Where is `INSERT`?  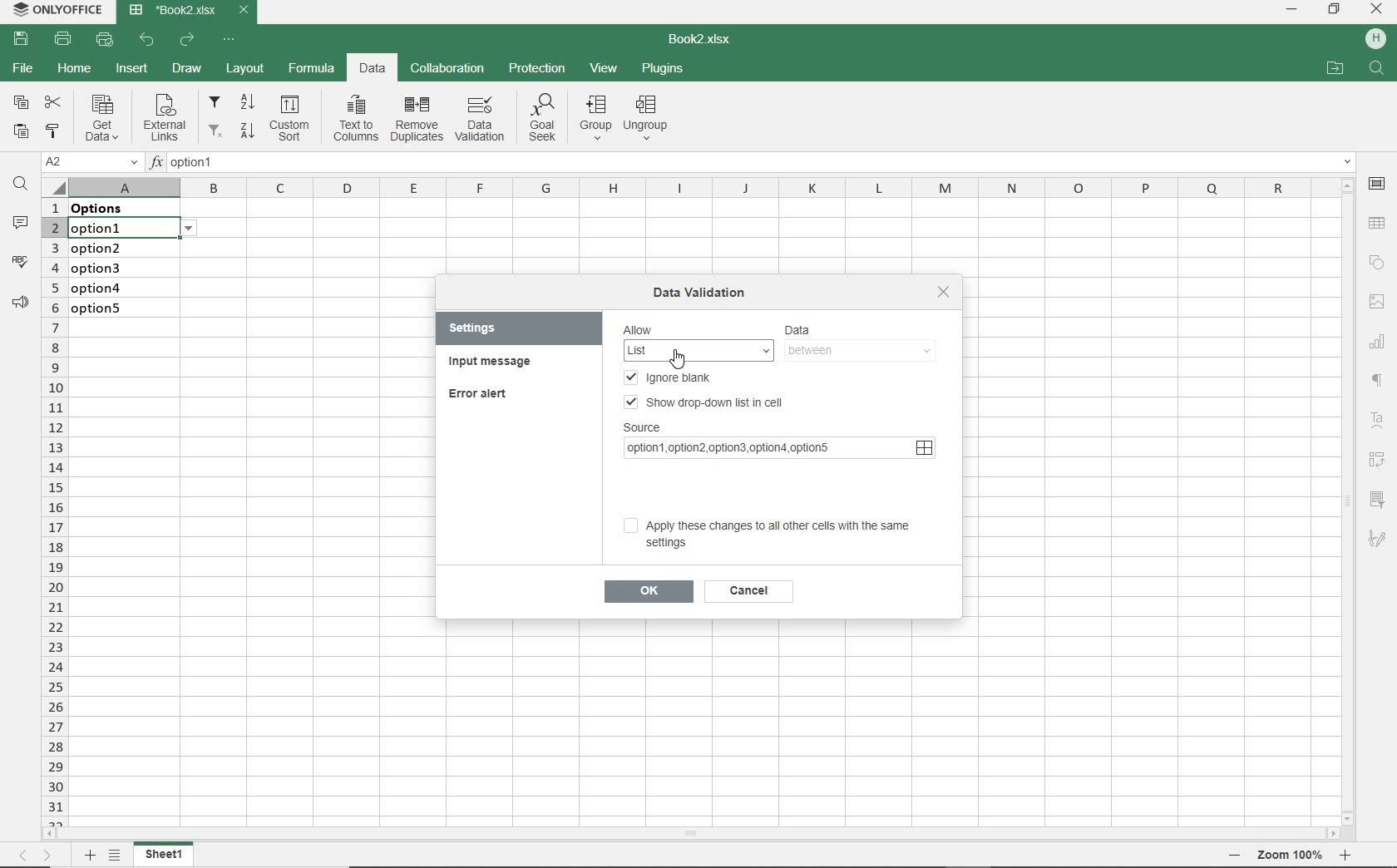 INSERT is located at coordinates (131, 70).